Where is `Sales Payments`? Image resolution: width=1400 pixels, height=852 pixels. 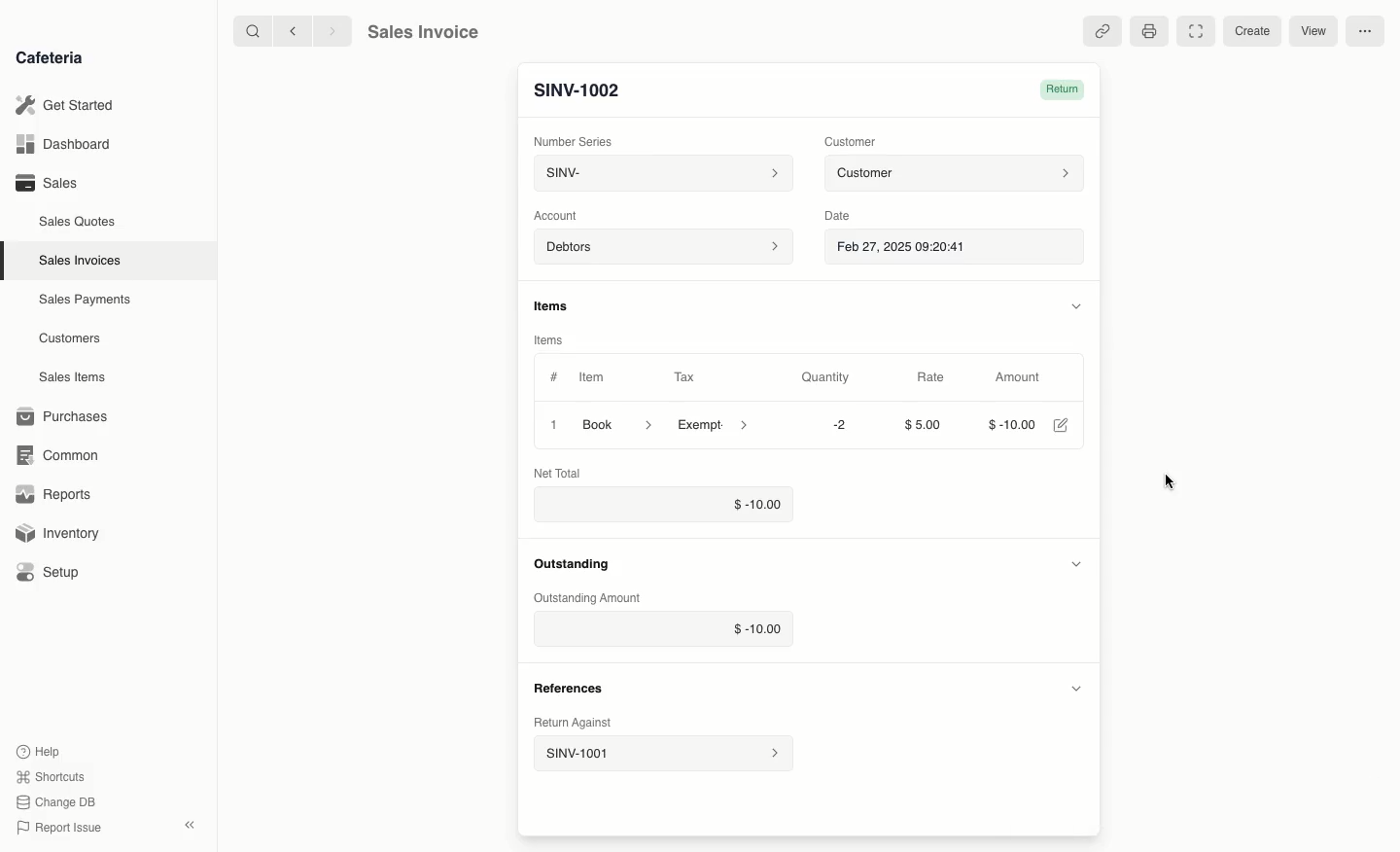 Sales Payments is located at coordinates (86, 301).